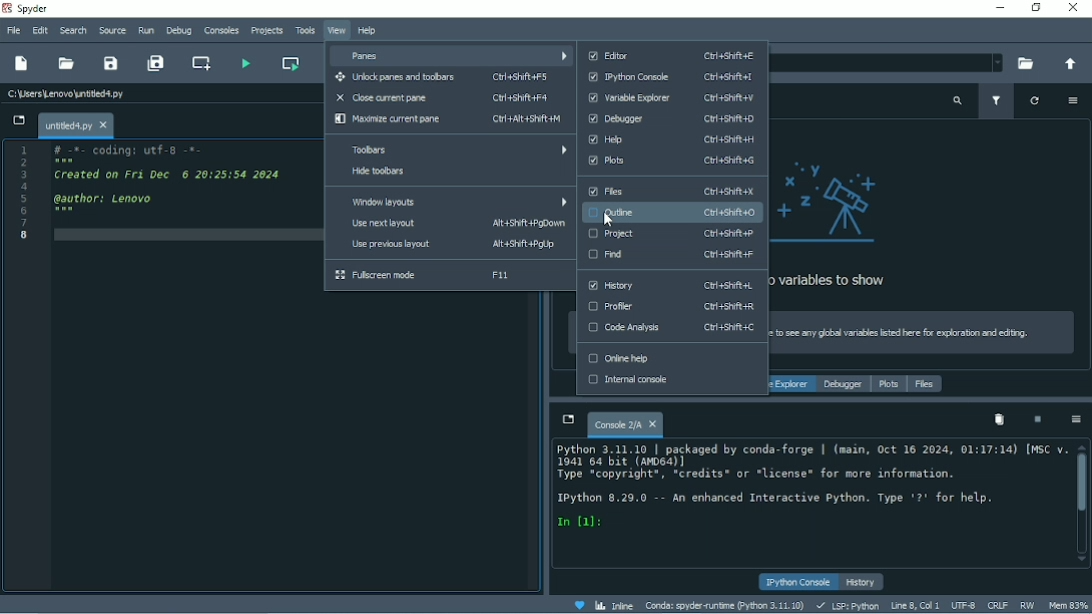 Image resolution: width=1092 pixels, height=614 pixels. I want to click on Consoles, so click(221, 30).